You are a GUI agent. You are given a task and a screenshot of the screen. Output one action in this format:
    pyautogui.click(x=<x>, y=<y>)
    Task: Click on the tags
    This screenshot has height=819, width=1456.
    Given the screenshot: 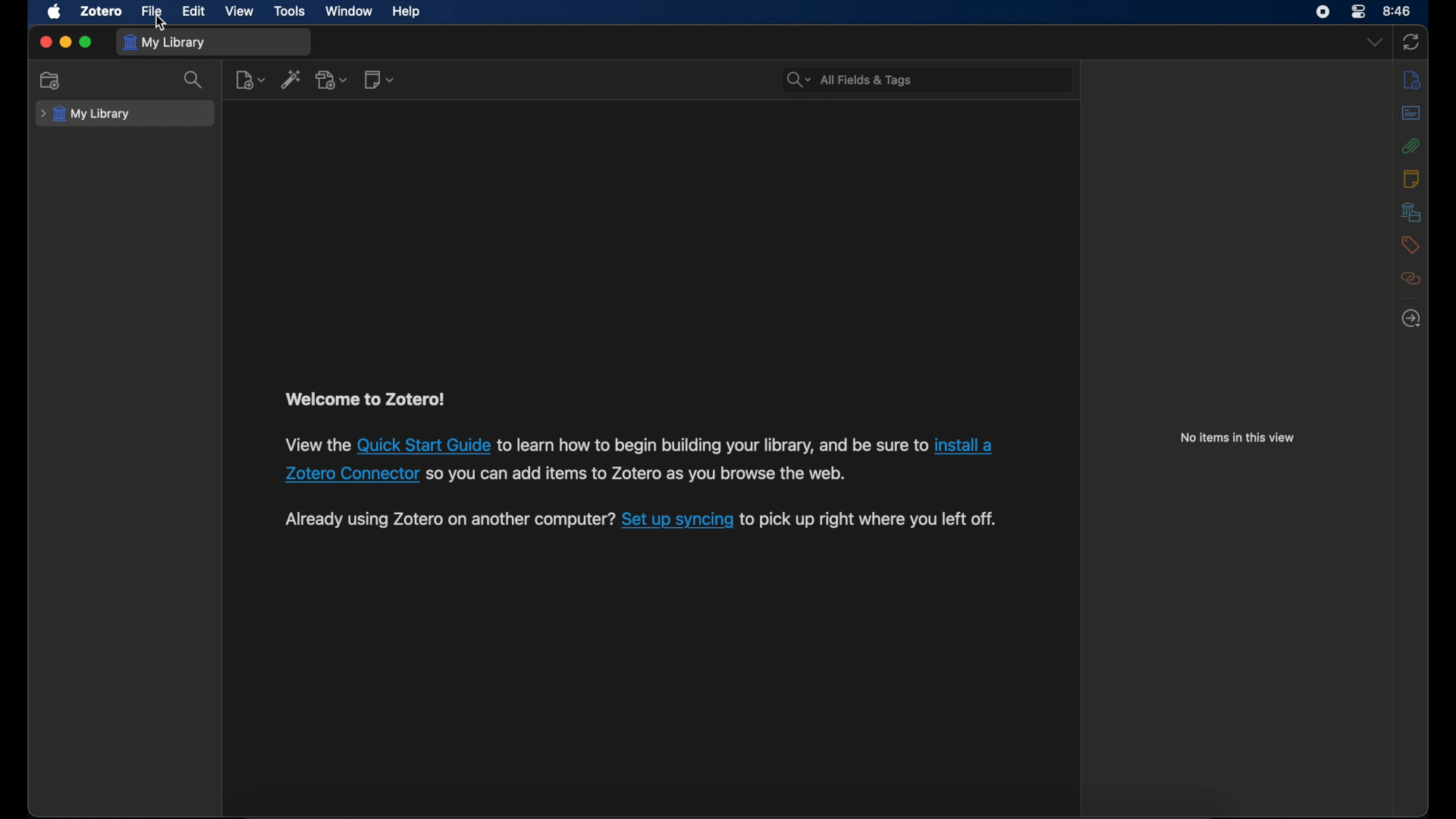 What is the action you would take?
    pyautogui.click(x=1410, y=245)
    